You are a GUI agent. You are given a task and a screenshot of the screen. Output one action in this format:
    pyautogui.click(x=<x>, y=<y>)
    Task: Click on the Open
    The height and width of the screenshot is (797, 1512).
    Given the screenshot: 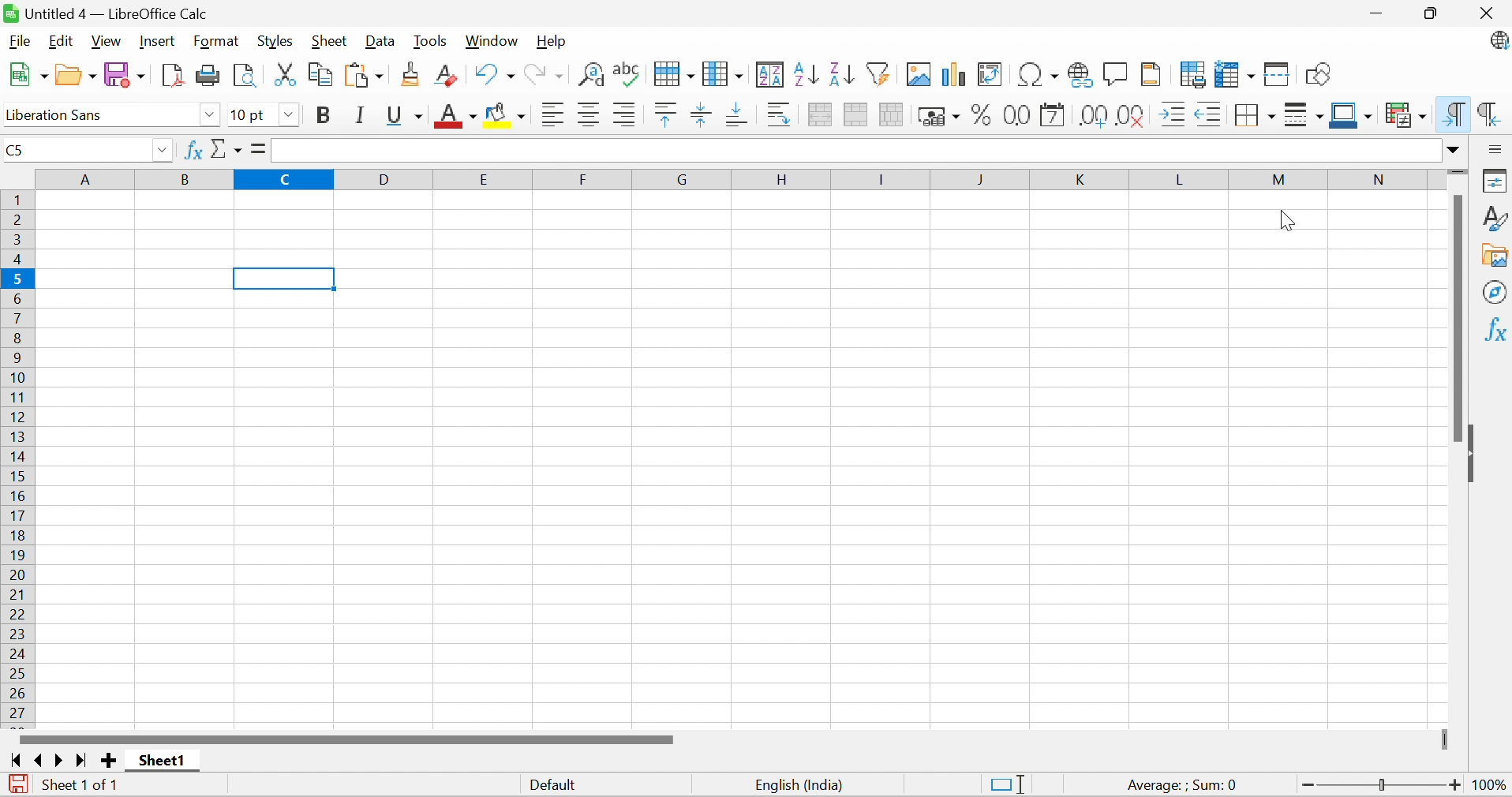 What is the action you would take?
    pyautogui.click(x=76, y=75)
    